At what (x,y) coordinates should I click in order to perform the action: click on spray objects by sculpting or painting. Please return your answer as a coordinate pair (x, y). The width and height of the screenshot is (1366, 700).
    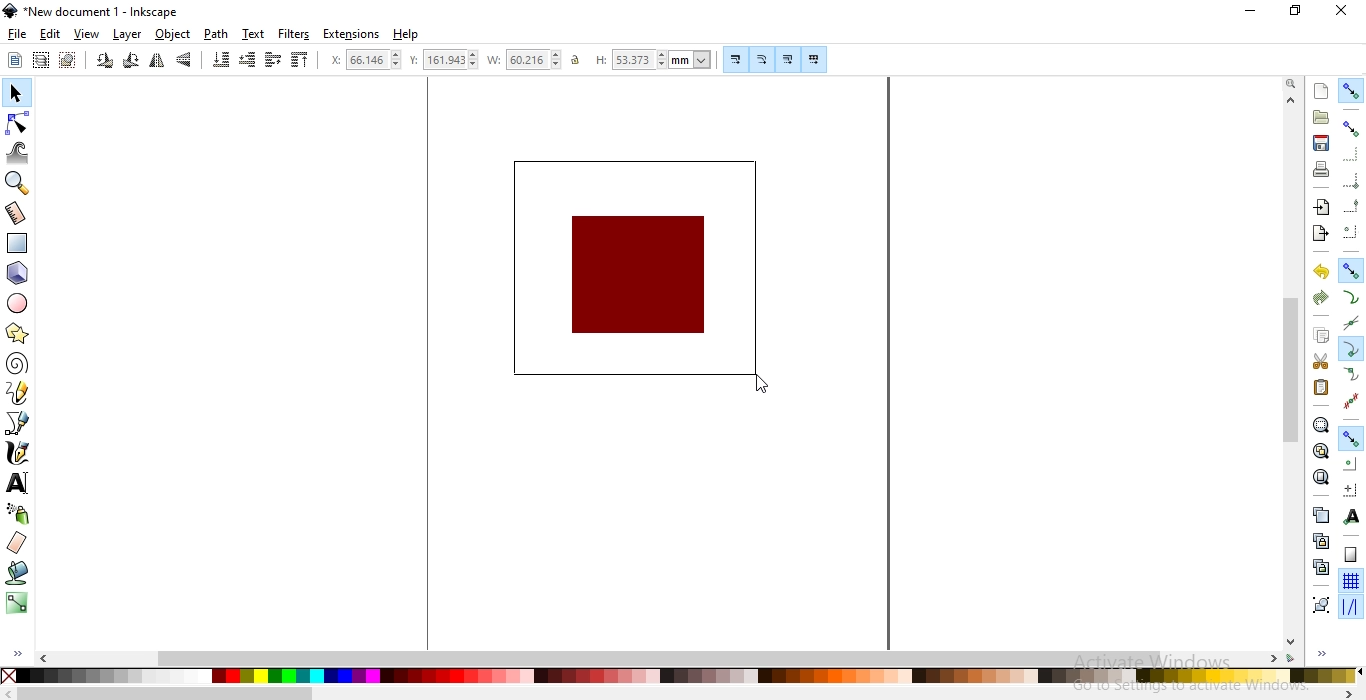
    Looking at the image, I should click on (17, 514).